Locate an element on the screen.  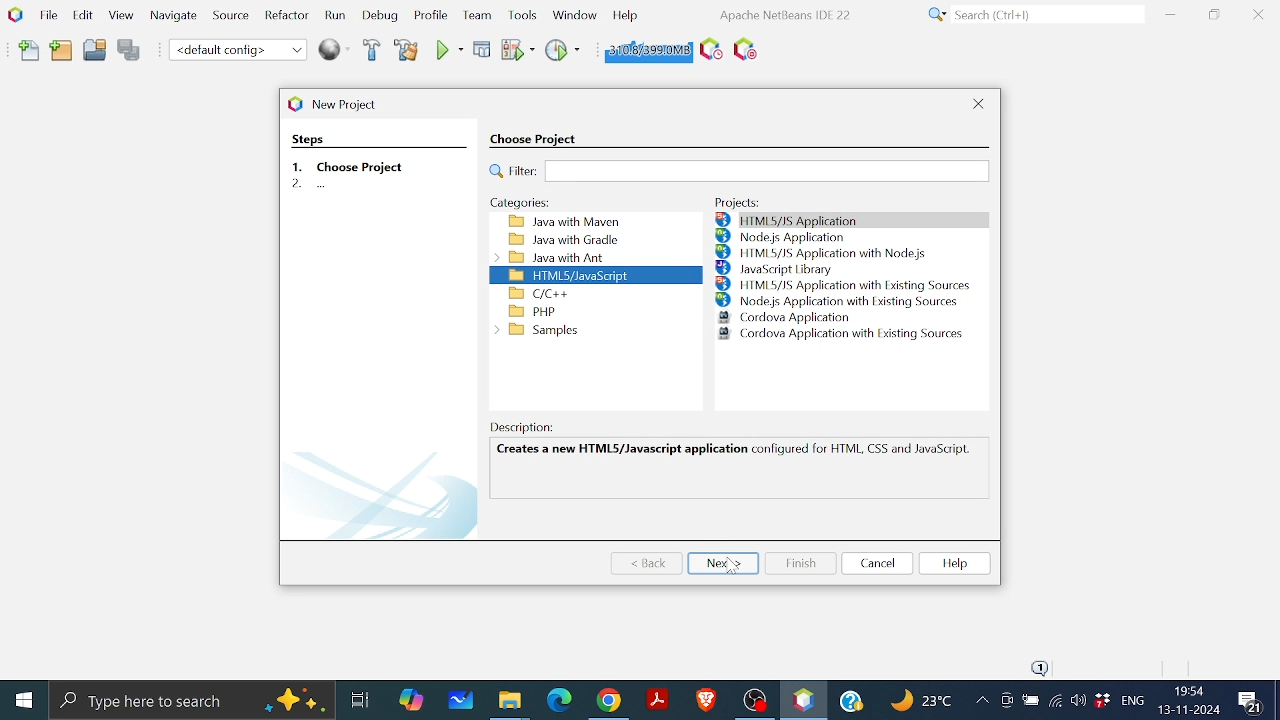
HTML5/JS Application with Node.js is located at coordinates (823, 251).